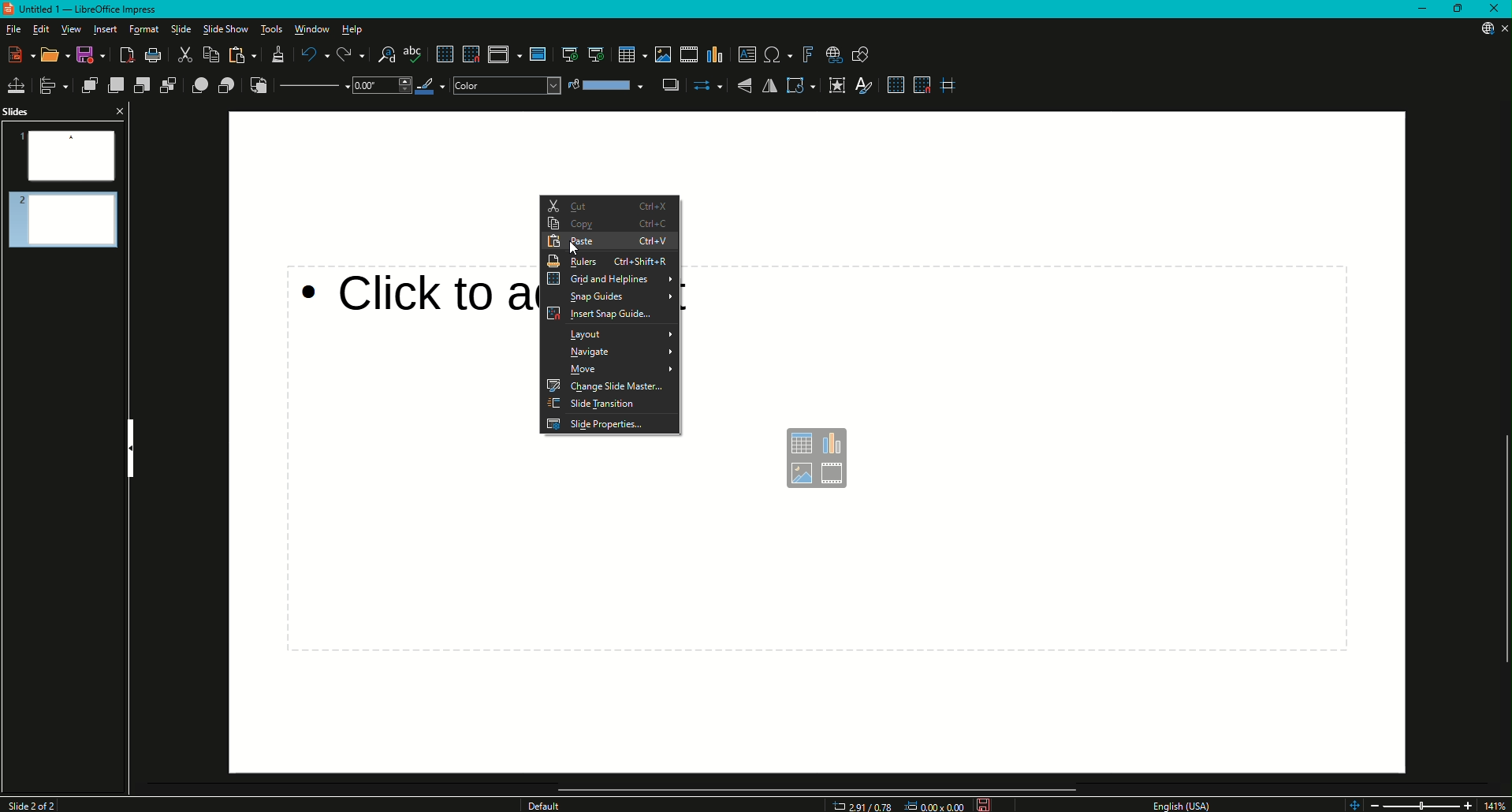 The width and height of the screenshot is (1512, 812). Describe the element at coordinates (65, 155) in the screenshot. I see `Slide 1 Preview` at that location.